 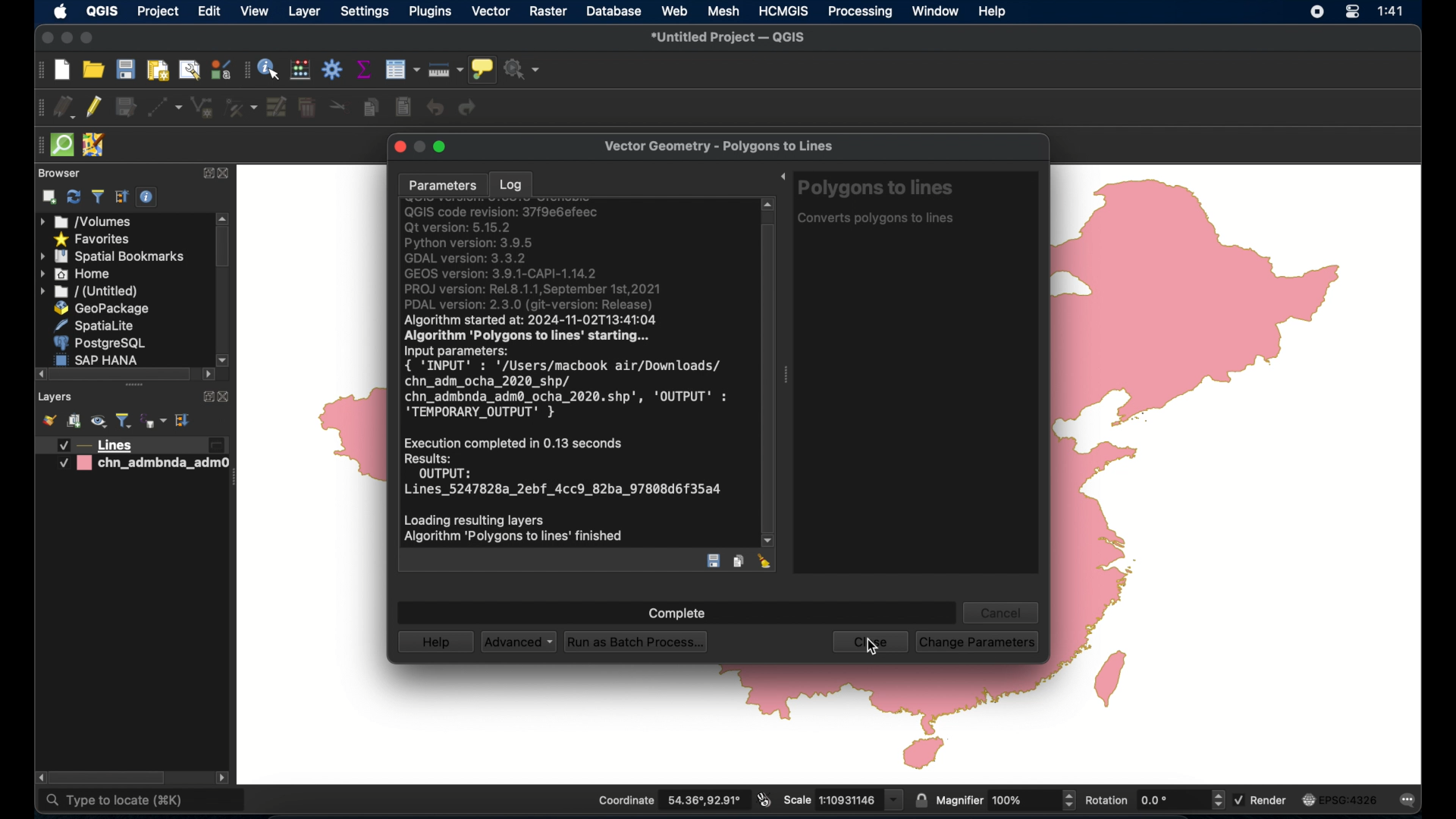 What do you see at coordinates (148, 197) in the screenshot?
I see `enable/disable properties widget` at bounding box center [148, 197].